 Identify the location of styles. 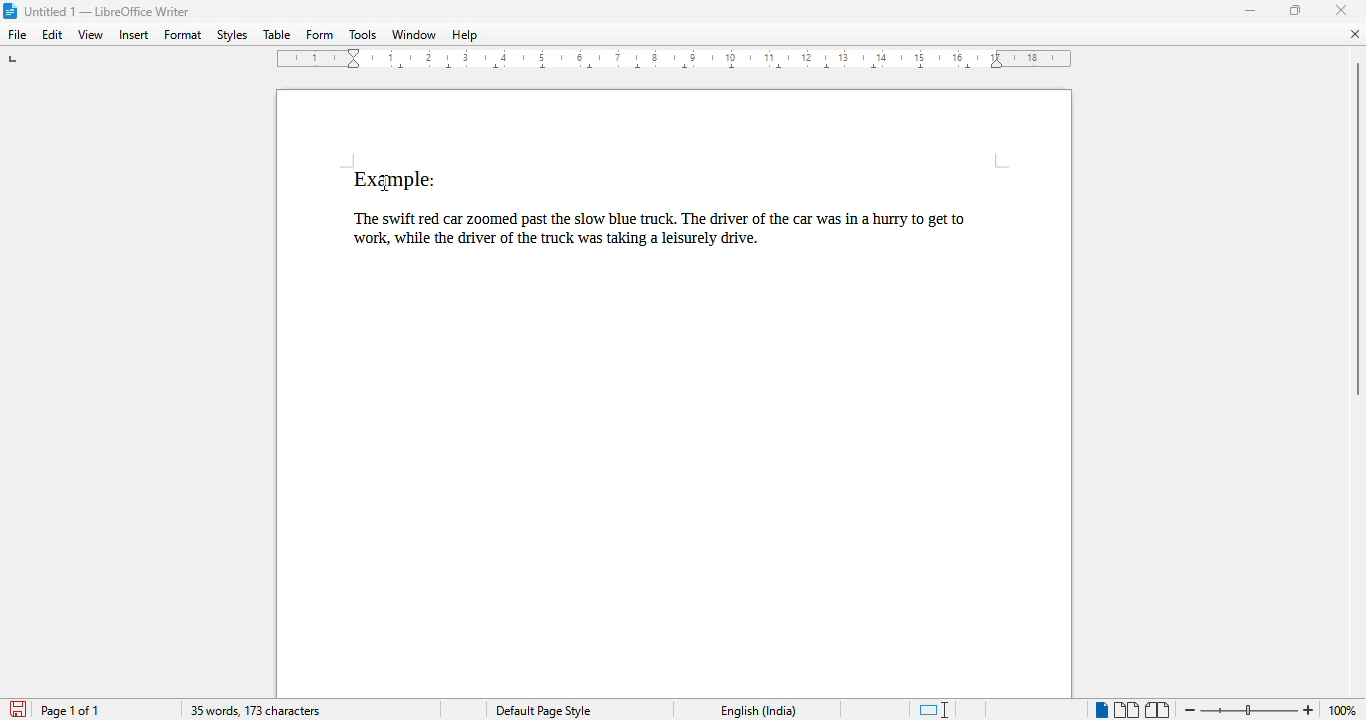
(233, 35).